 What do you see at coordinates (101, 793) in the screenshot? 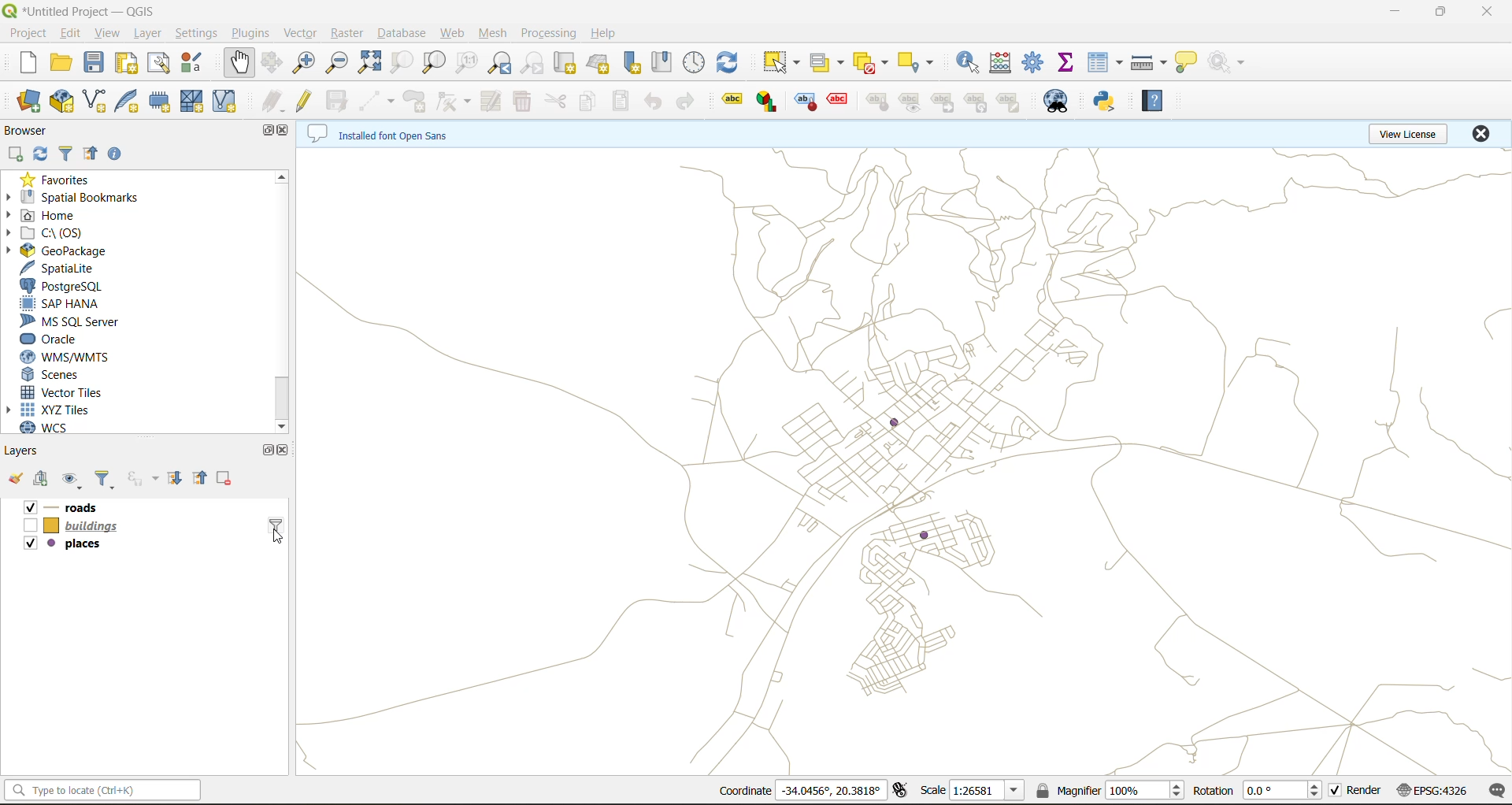
I see `status bar` at bounding box center [101, 793].